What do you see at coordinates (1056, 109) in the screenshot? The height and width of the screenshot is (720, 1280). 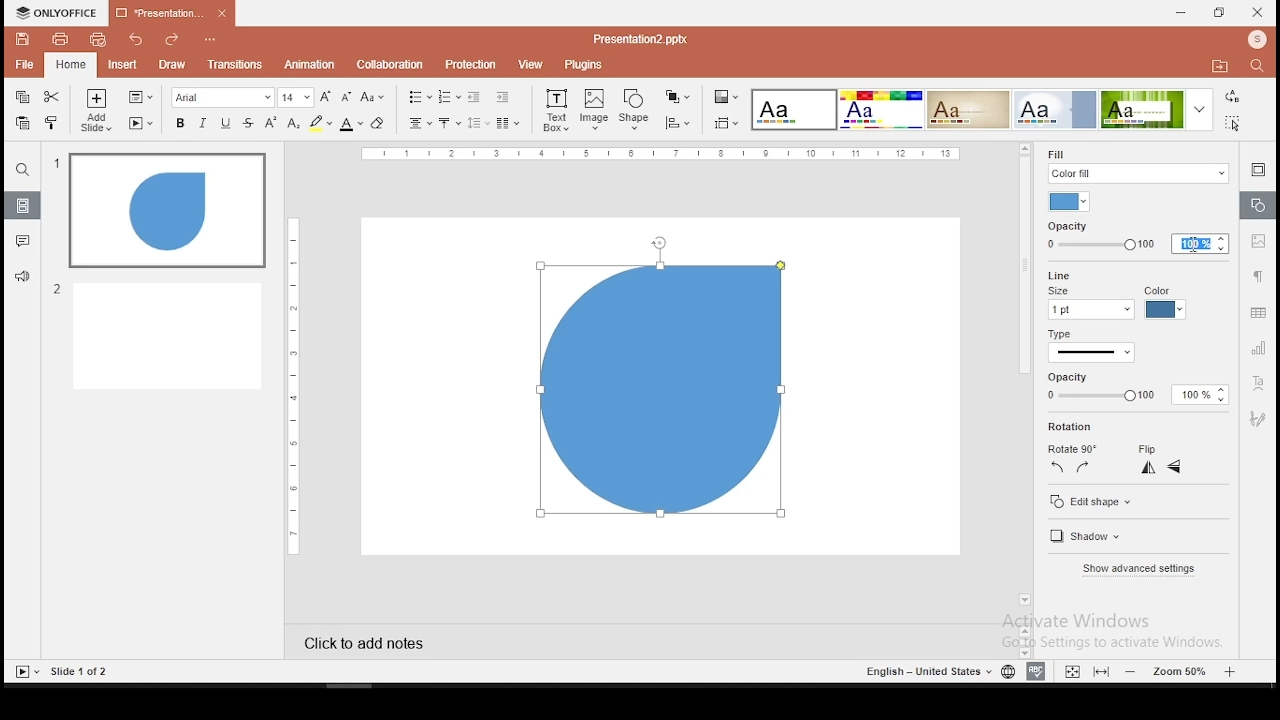 I see `theme` at bounding box center [1056, 109].